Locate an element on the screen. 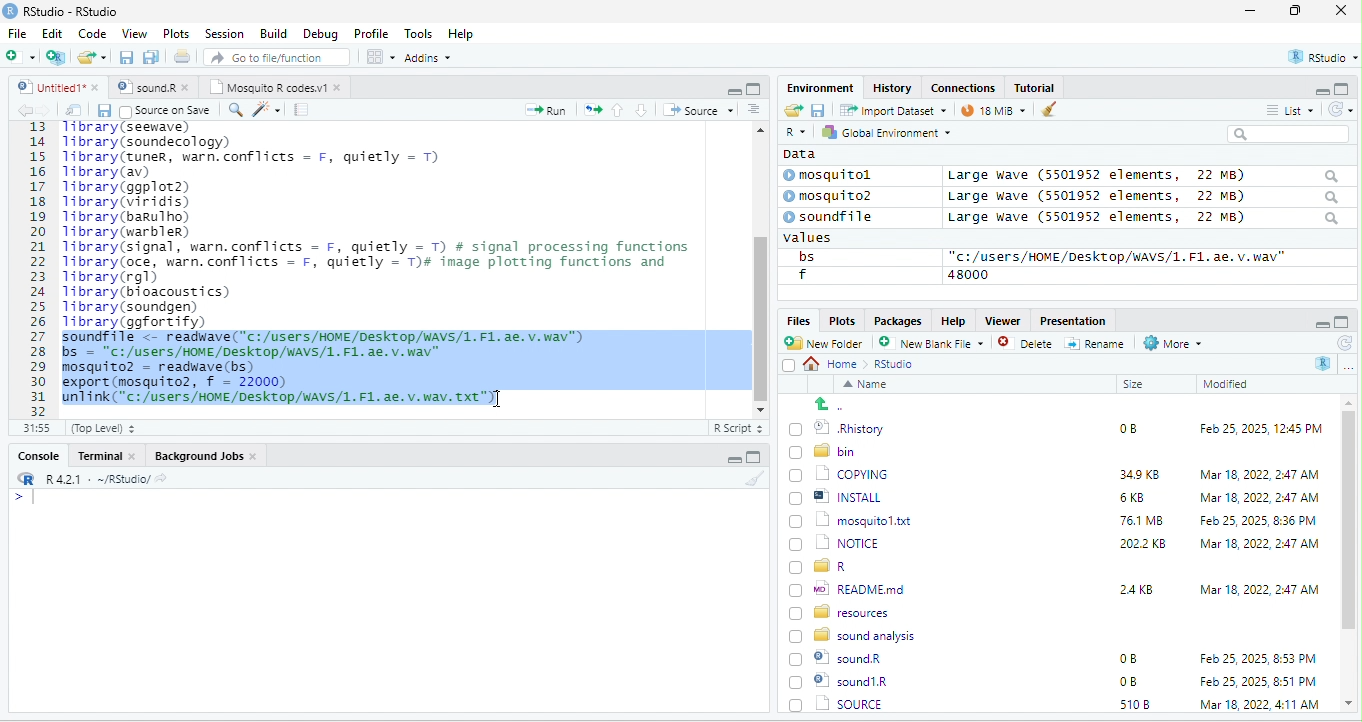 This screenshot has height=722, width=1362. maximize is located at coordinates (753, 88).